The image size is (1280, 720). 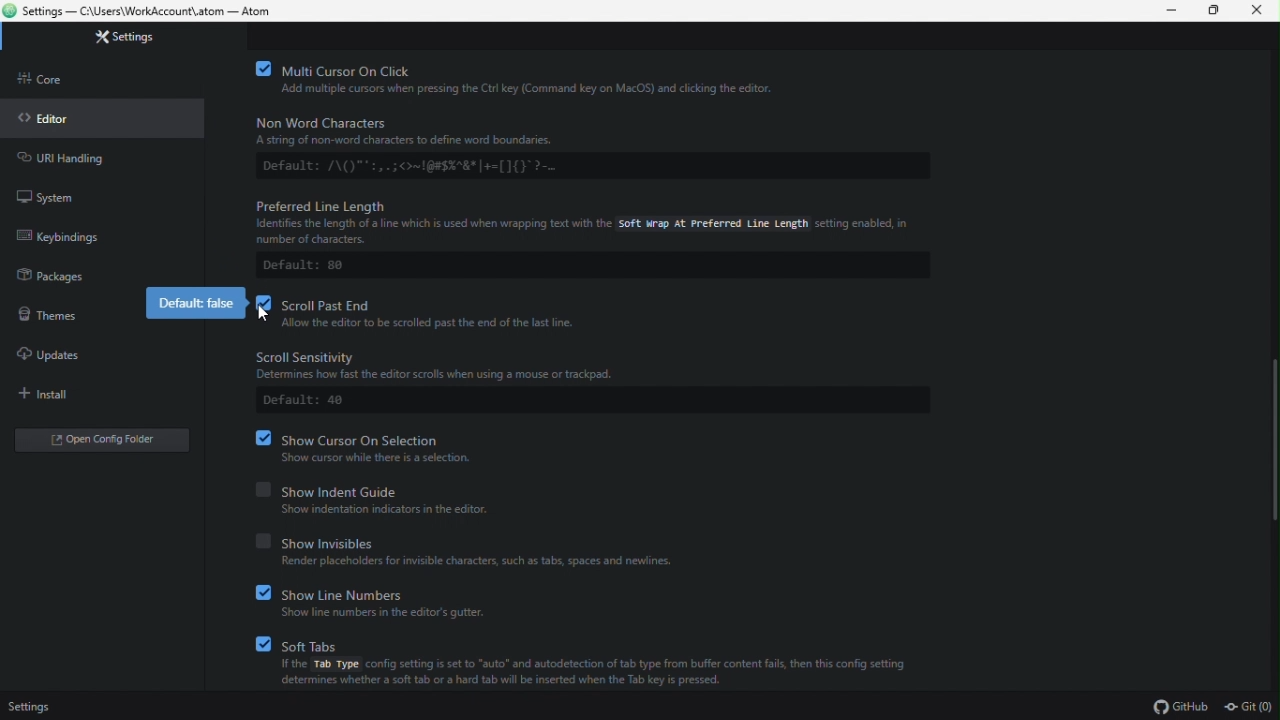 I want to click on Editor, so click(x=50, y=119).